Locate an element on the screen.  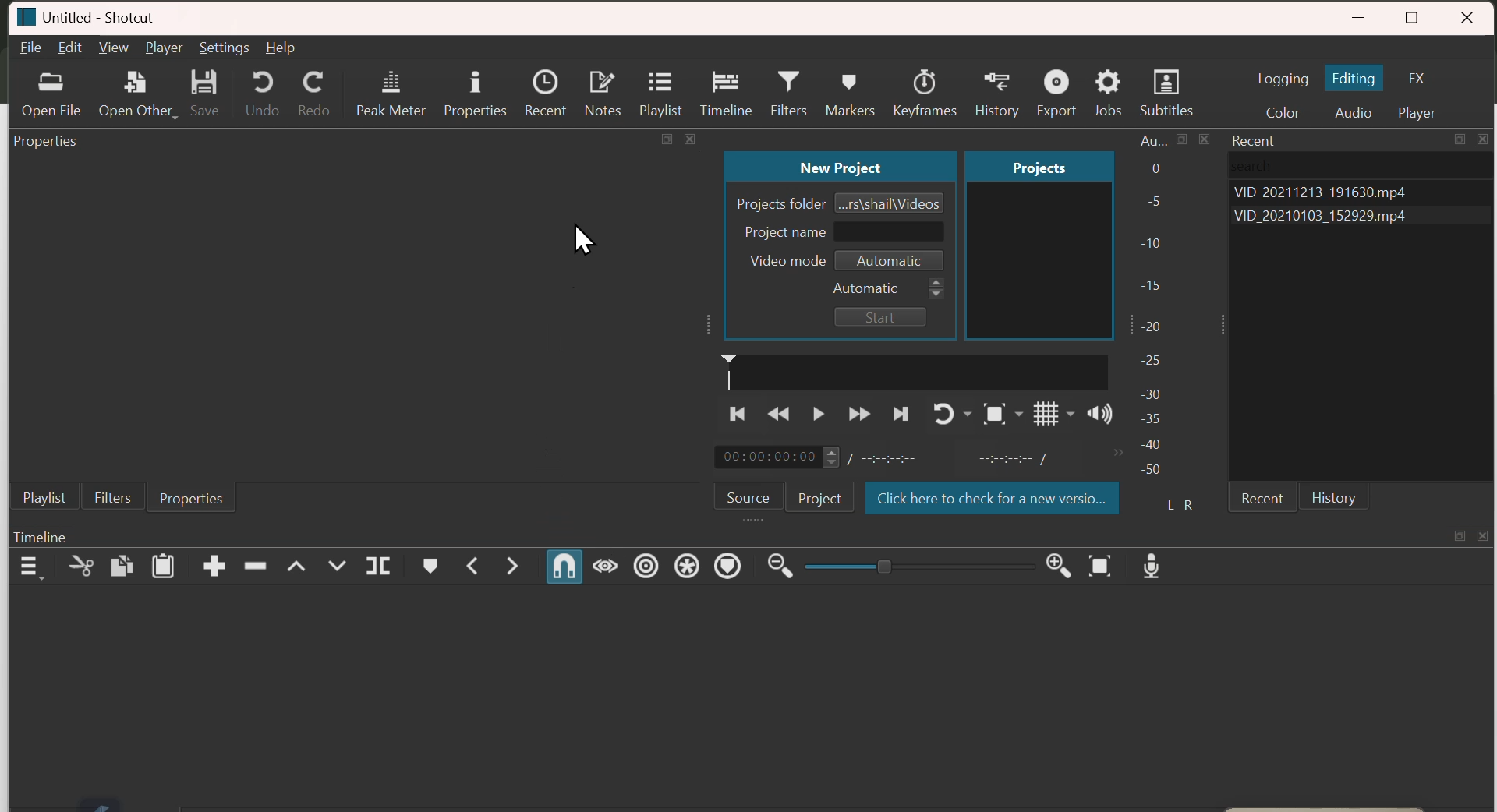
Timeline is located at coordinates (724, 87).